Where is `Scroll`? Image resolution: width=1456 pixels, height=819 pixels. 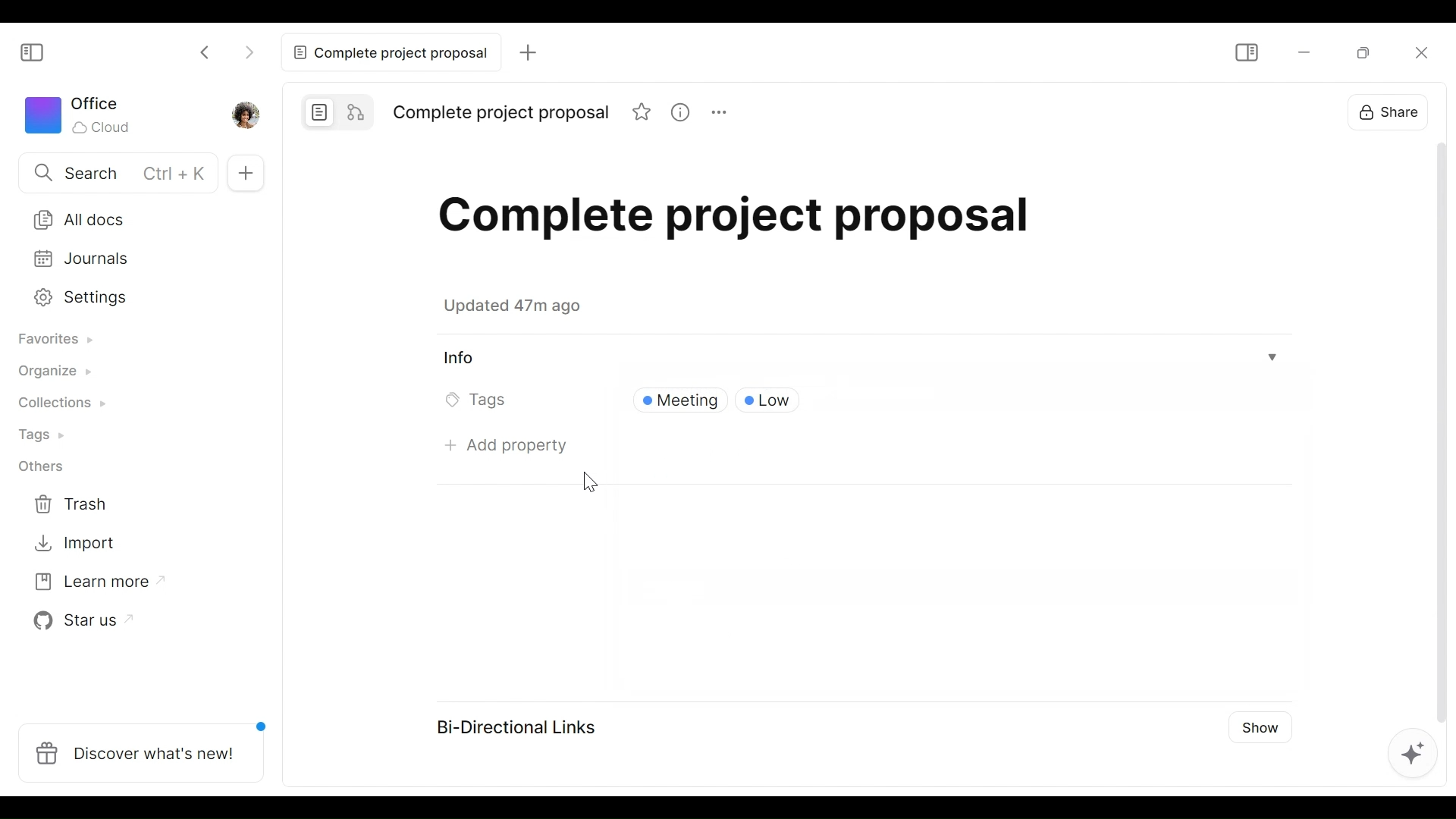 Scroll is located at coordinates (1436, 430).